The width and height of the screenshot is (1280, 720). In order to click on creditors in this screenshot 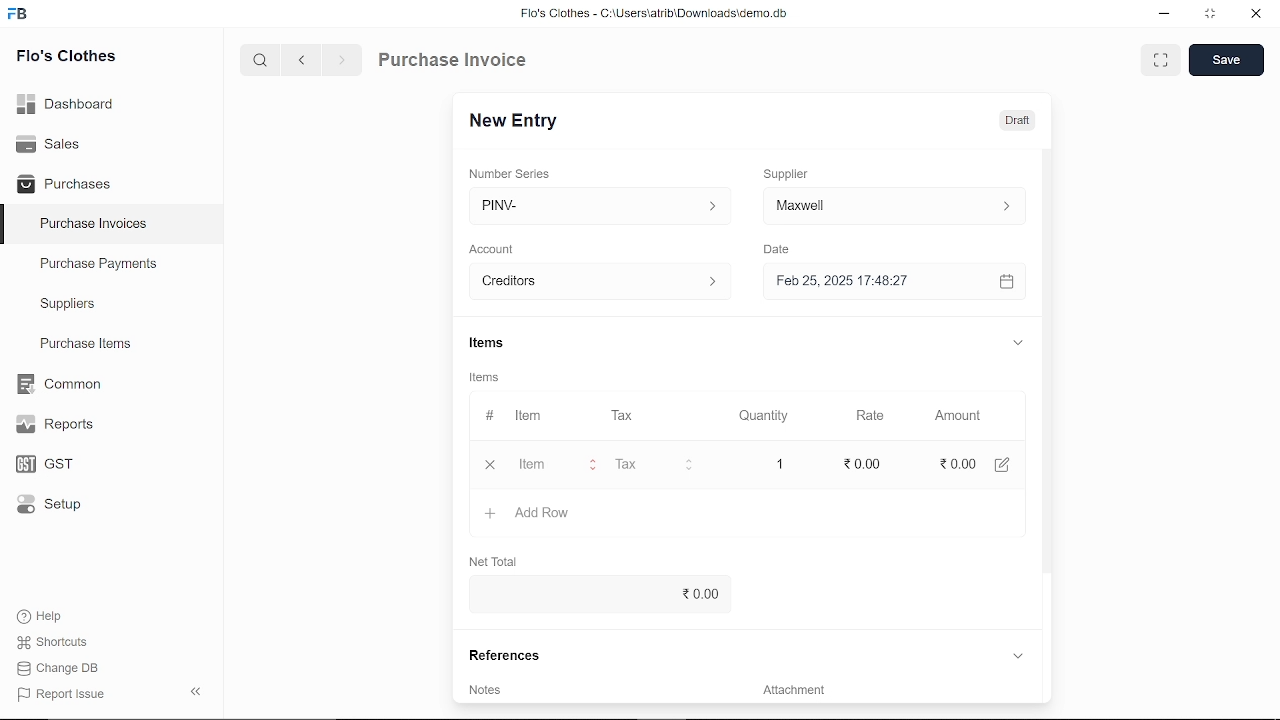, I will do `click(596, 280)`.